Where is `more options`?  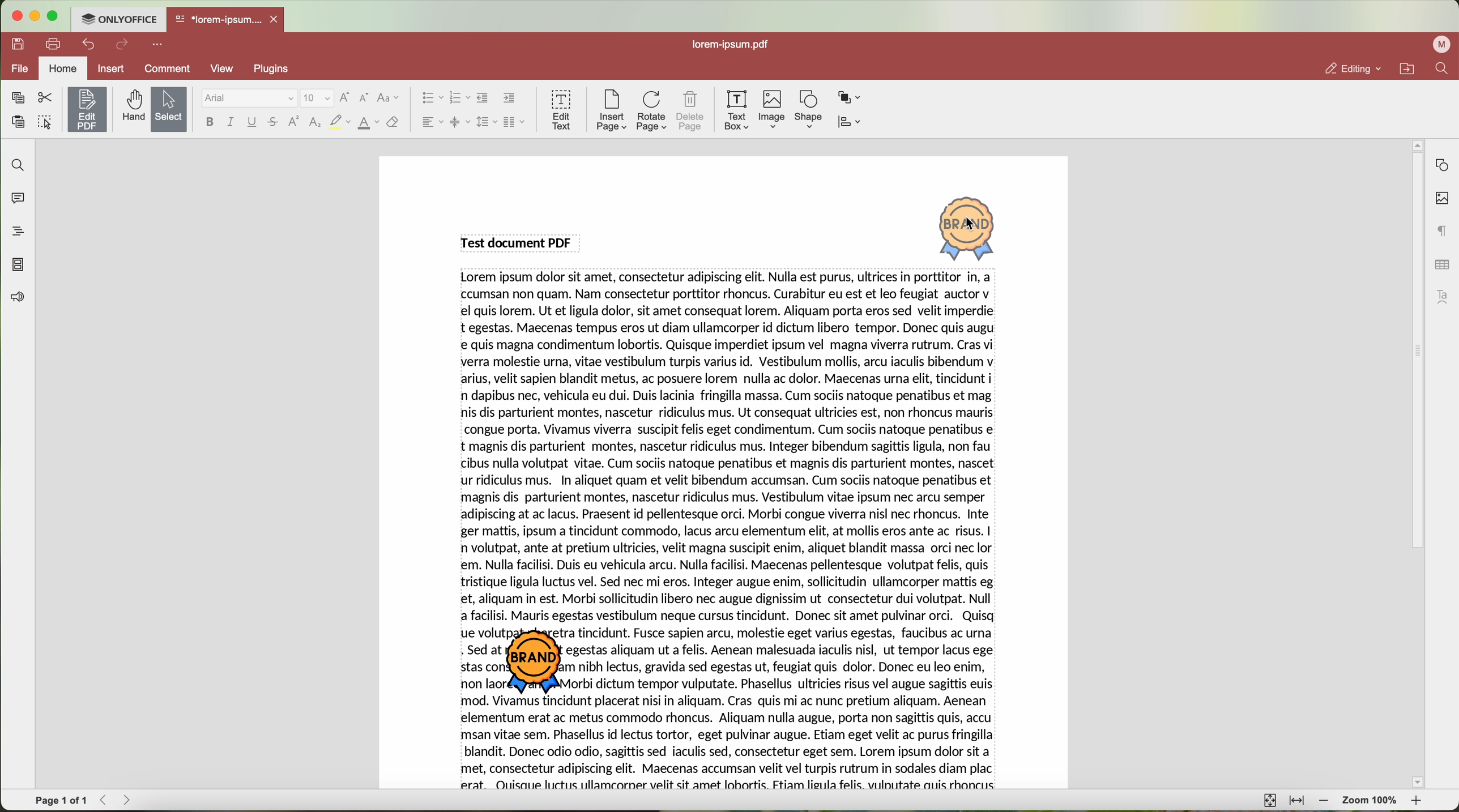
more options is located at coordinates (160, 43).